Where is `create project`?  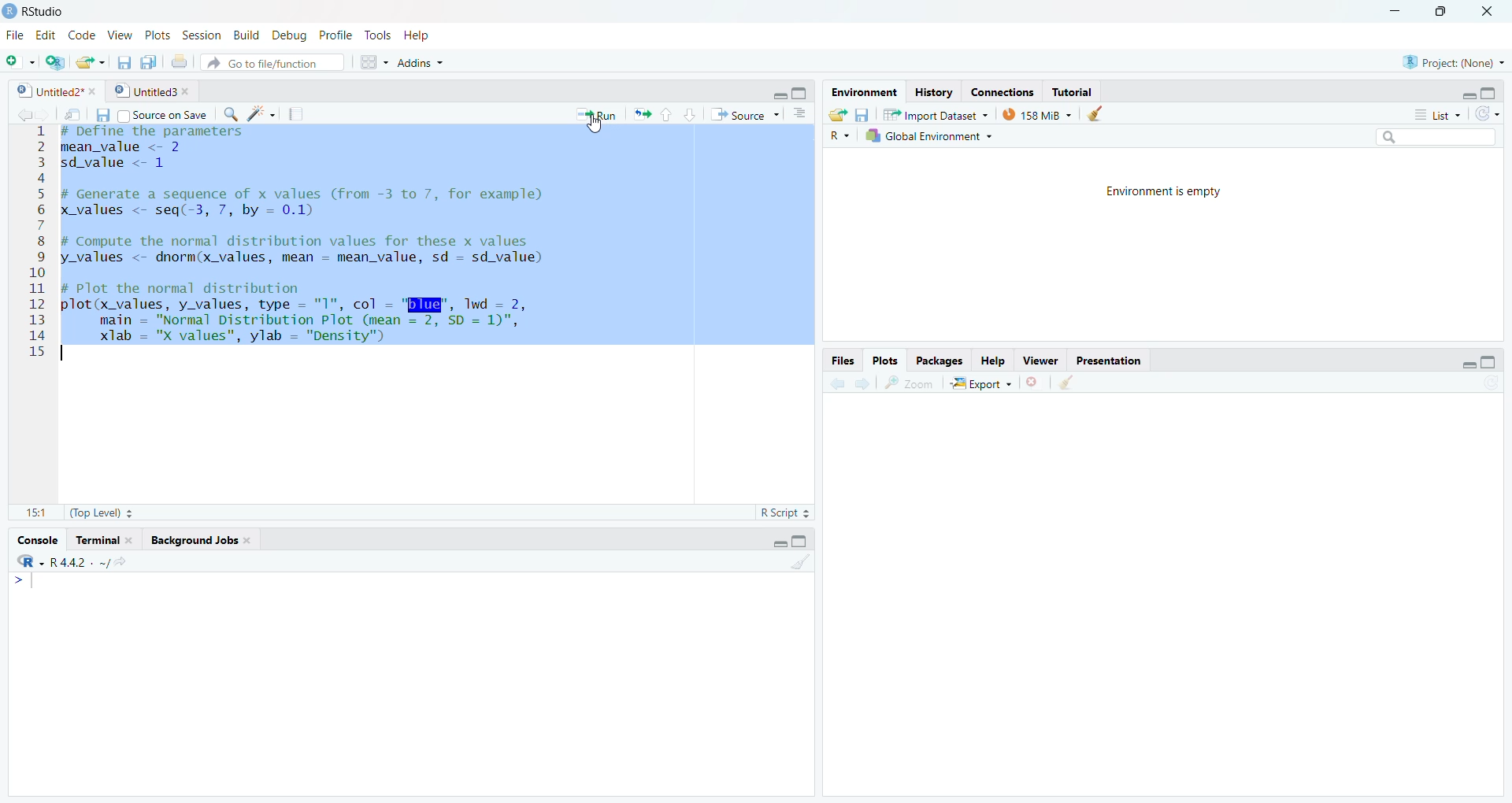 create project is located at coordinates (50, 60).